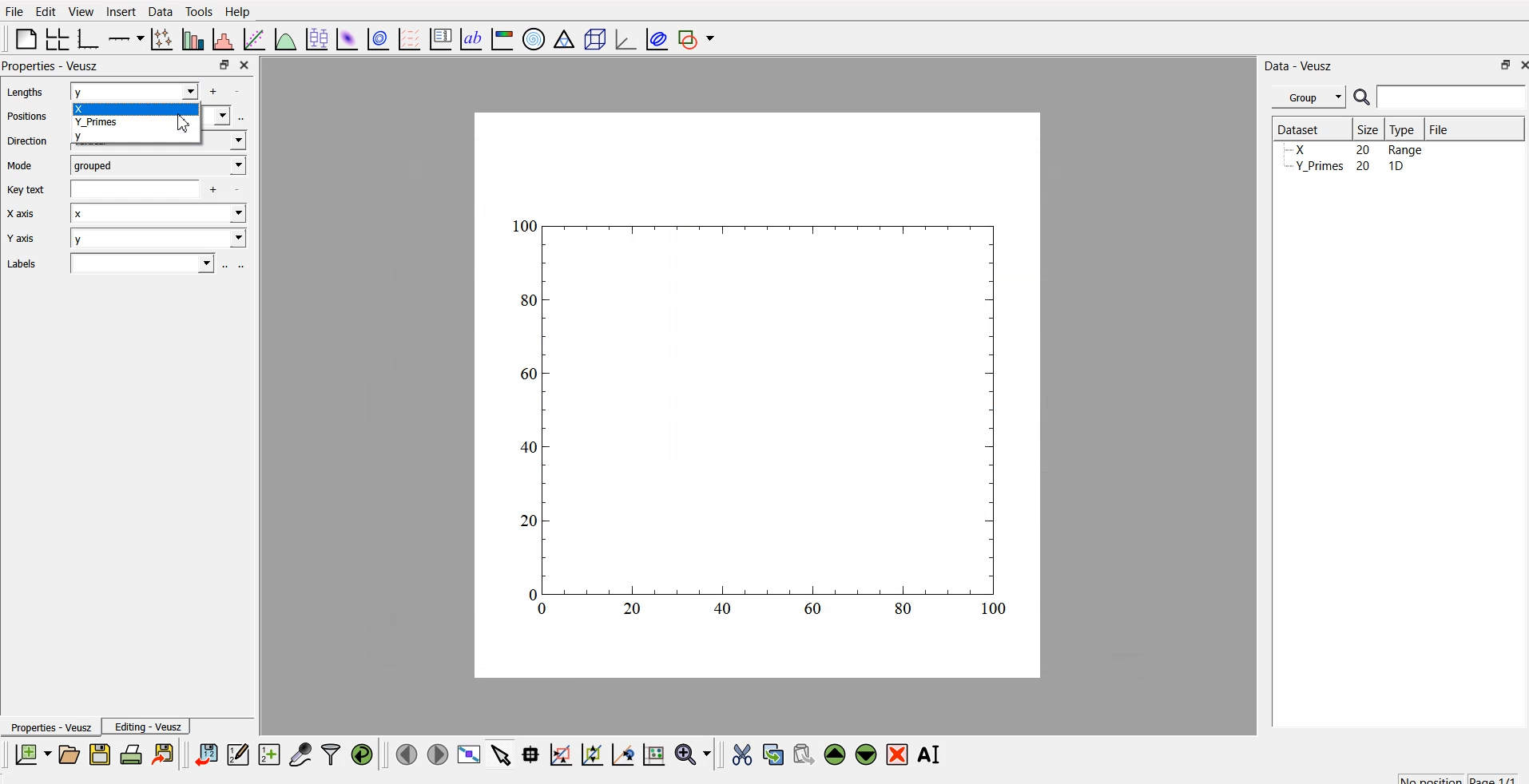 The height and width of the screenshot is (784, 1529). I want to click on read datapoint on graph, so click(529, 754).